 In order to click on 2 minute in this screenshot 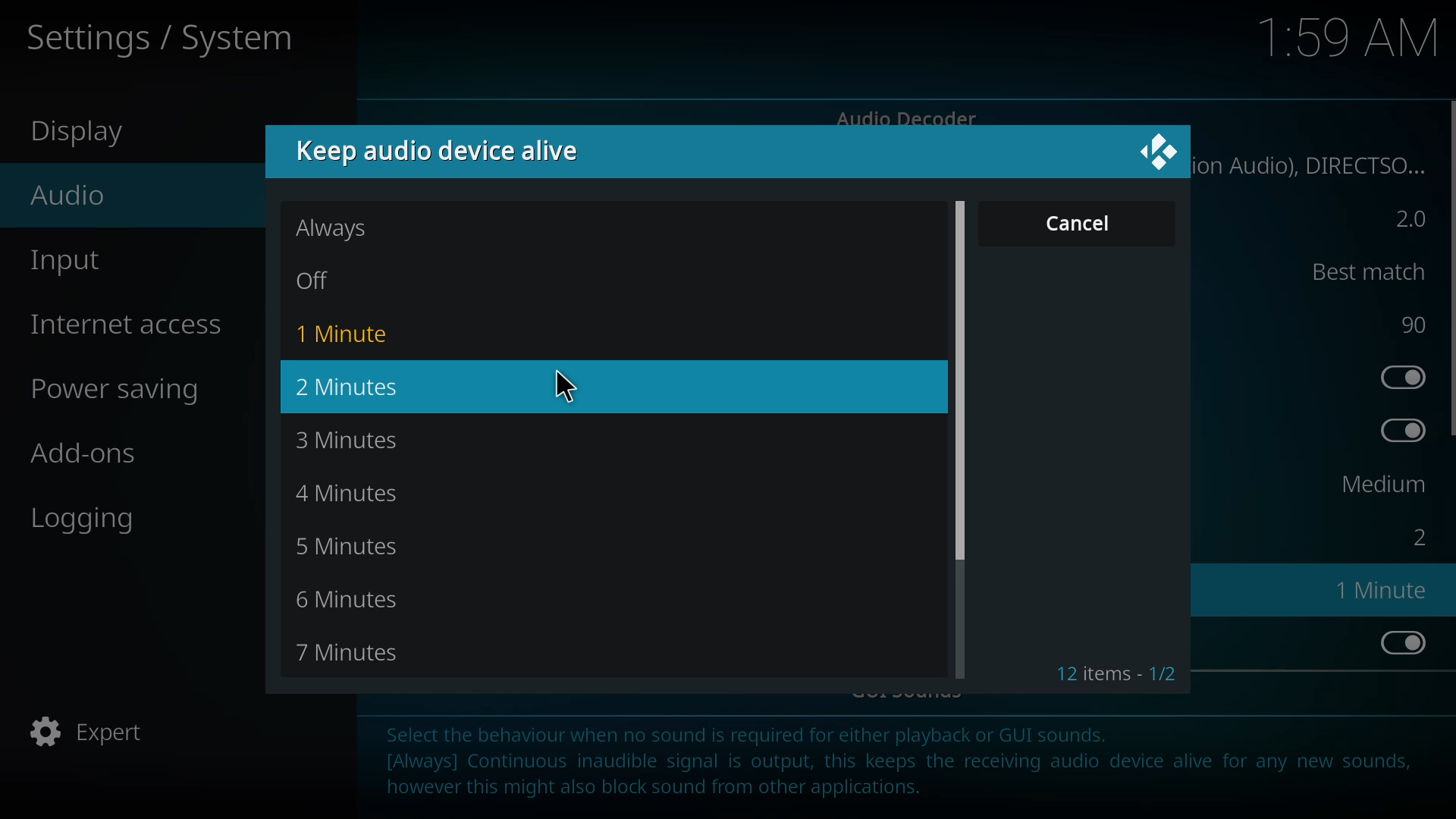, I will do `click(359, 385)`.